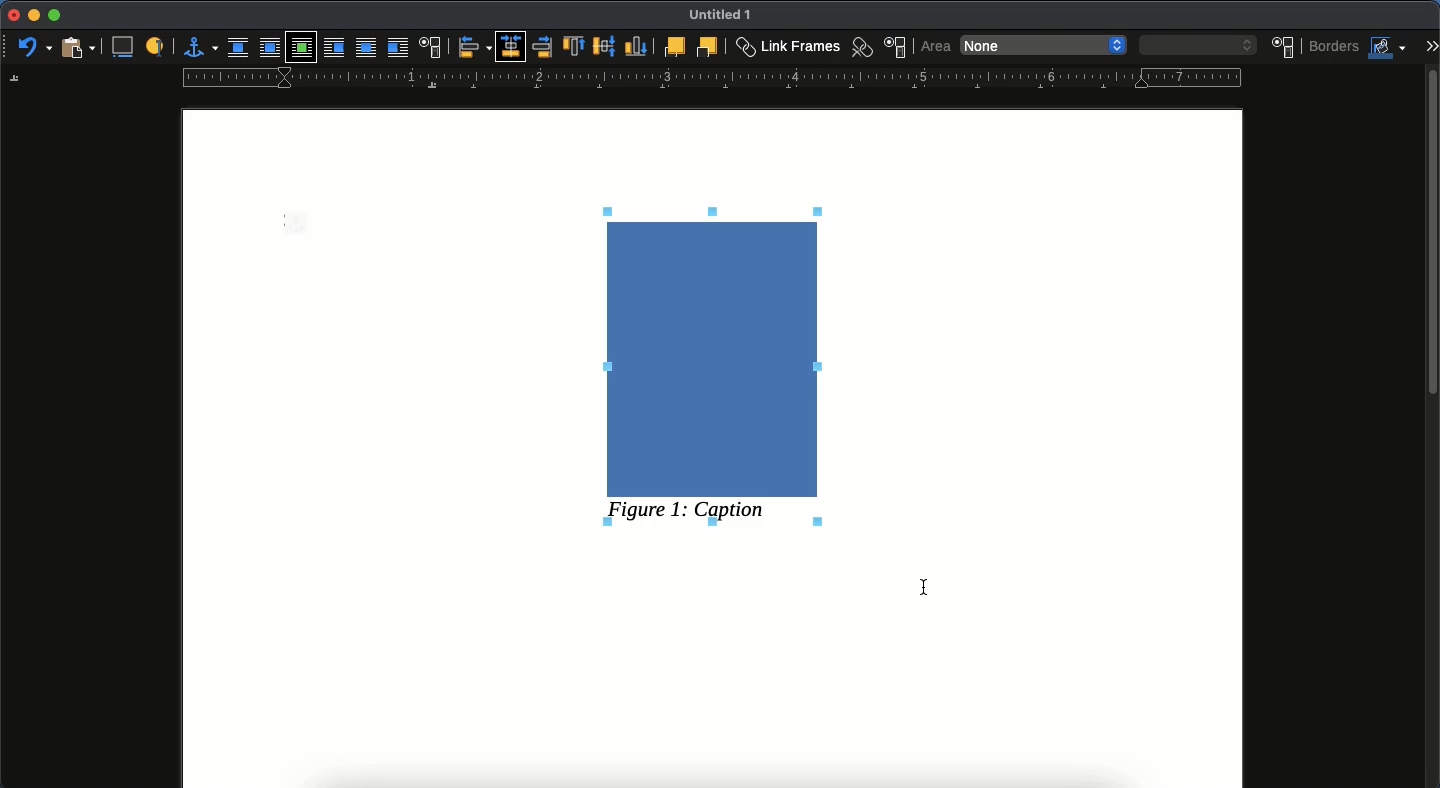 The height and width of the screenshot is (788, 1440). Describe the element at coordinates (707, 47) in the screenshot. I see `back one` at that location.